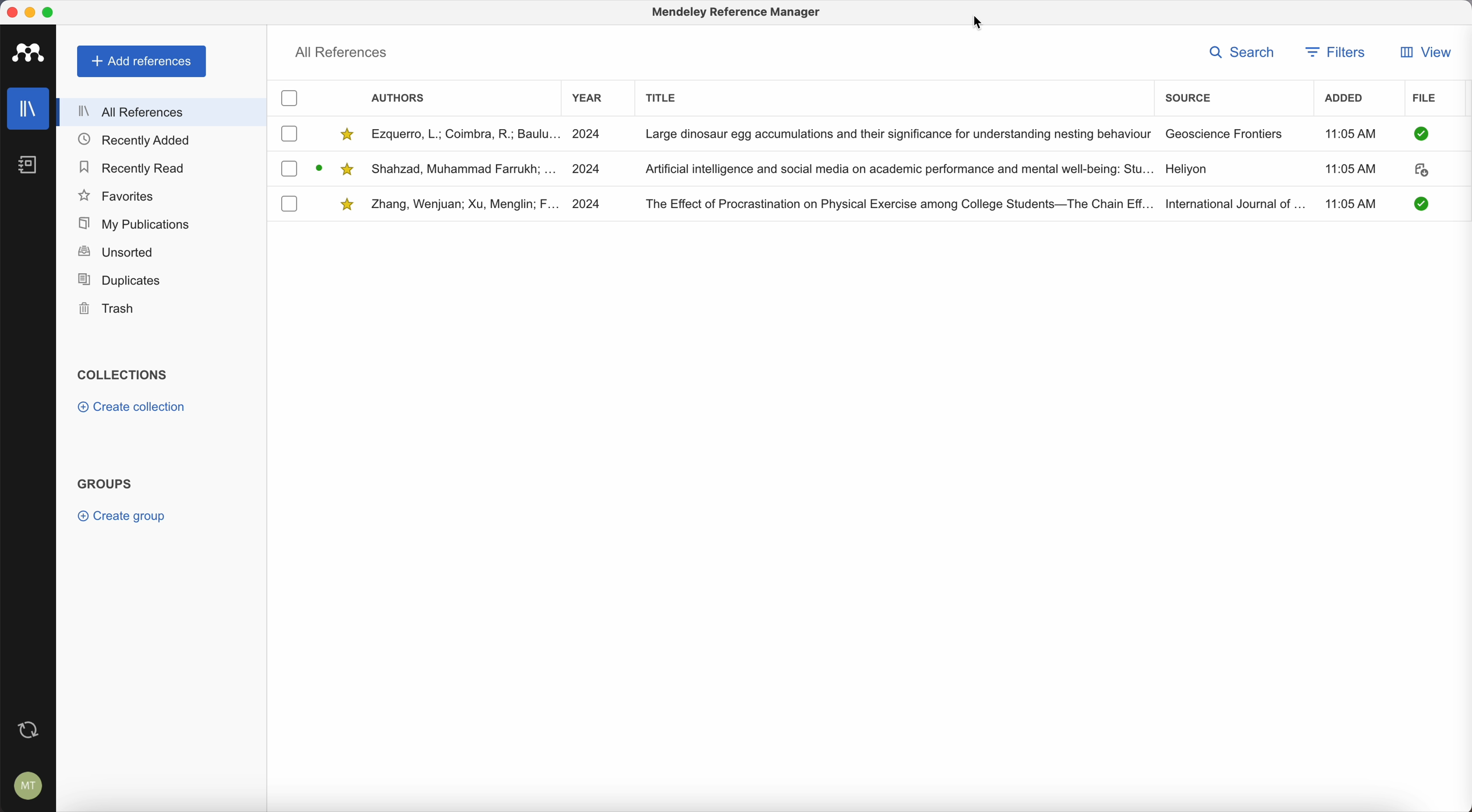 The height and width of the screenshot is (812, 1472). Describe the element at coordinates (663, 96) in the screenshot. I see `title` at that location.